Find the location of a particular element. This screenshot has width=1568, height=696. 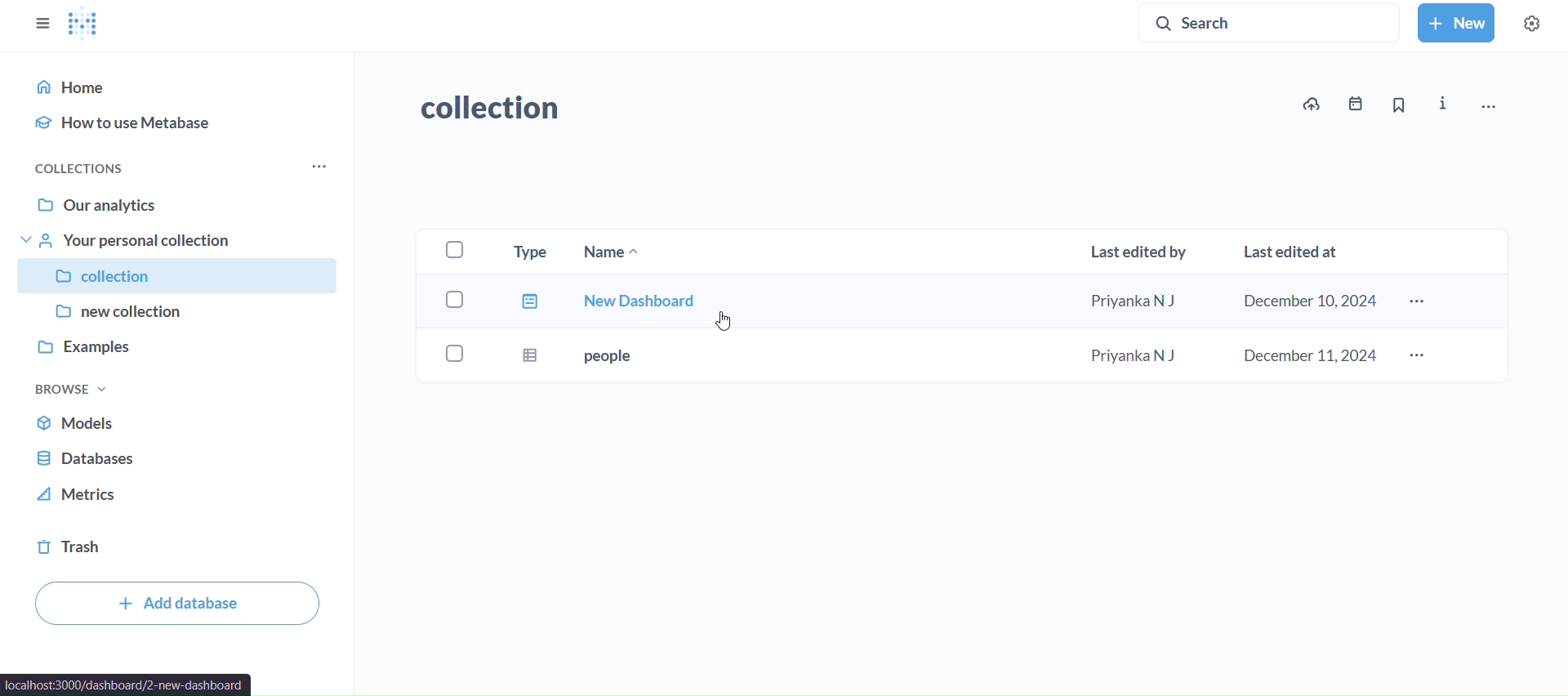

our analytics is located at coordinates (183, 202).